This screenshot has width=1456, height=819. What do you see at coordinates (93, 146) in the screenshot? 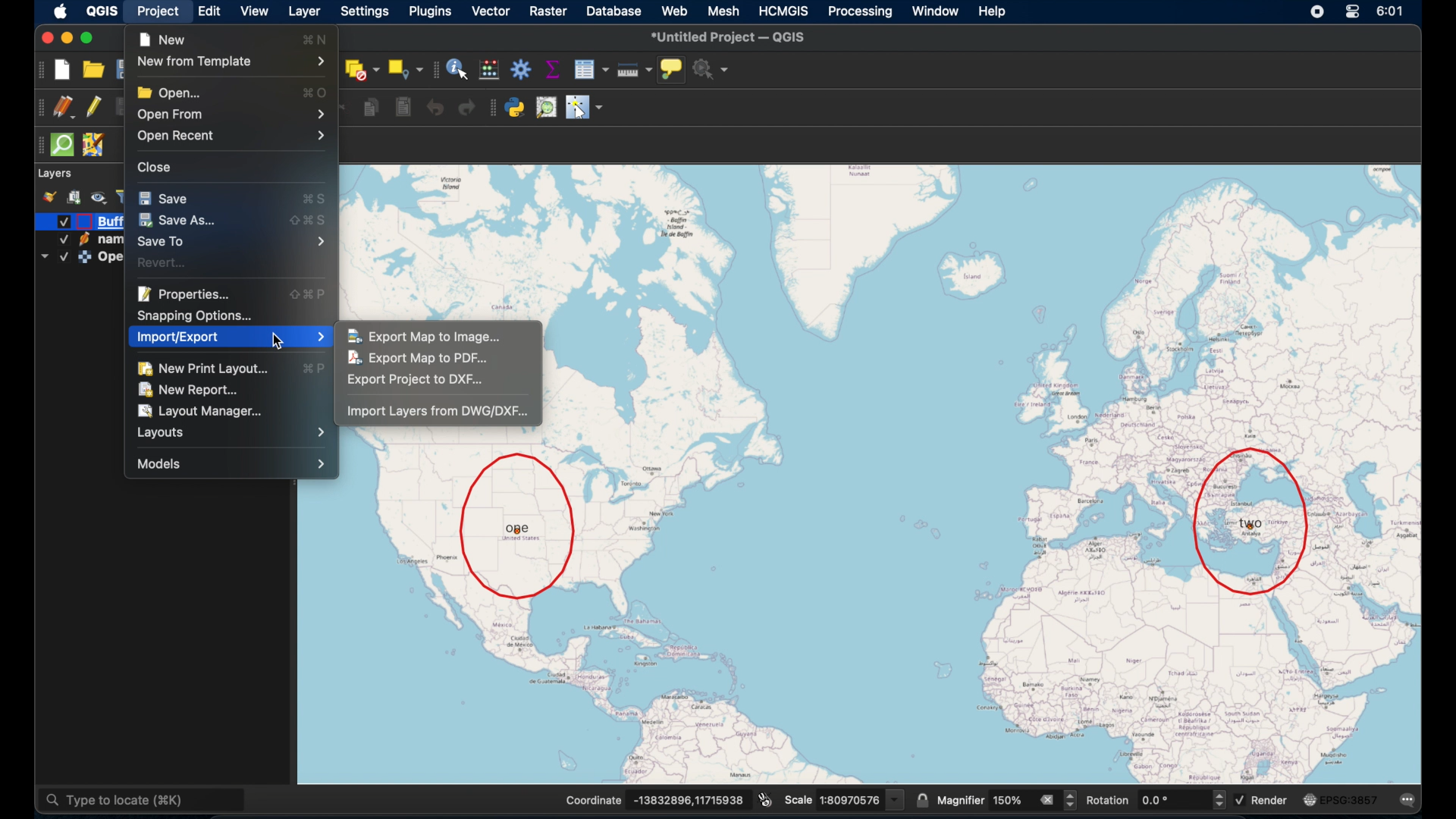
I see `jsom remote` at bounding box center [93, 146].